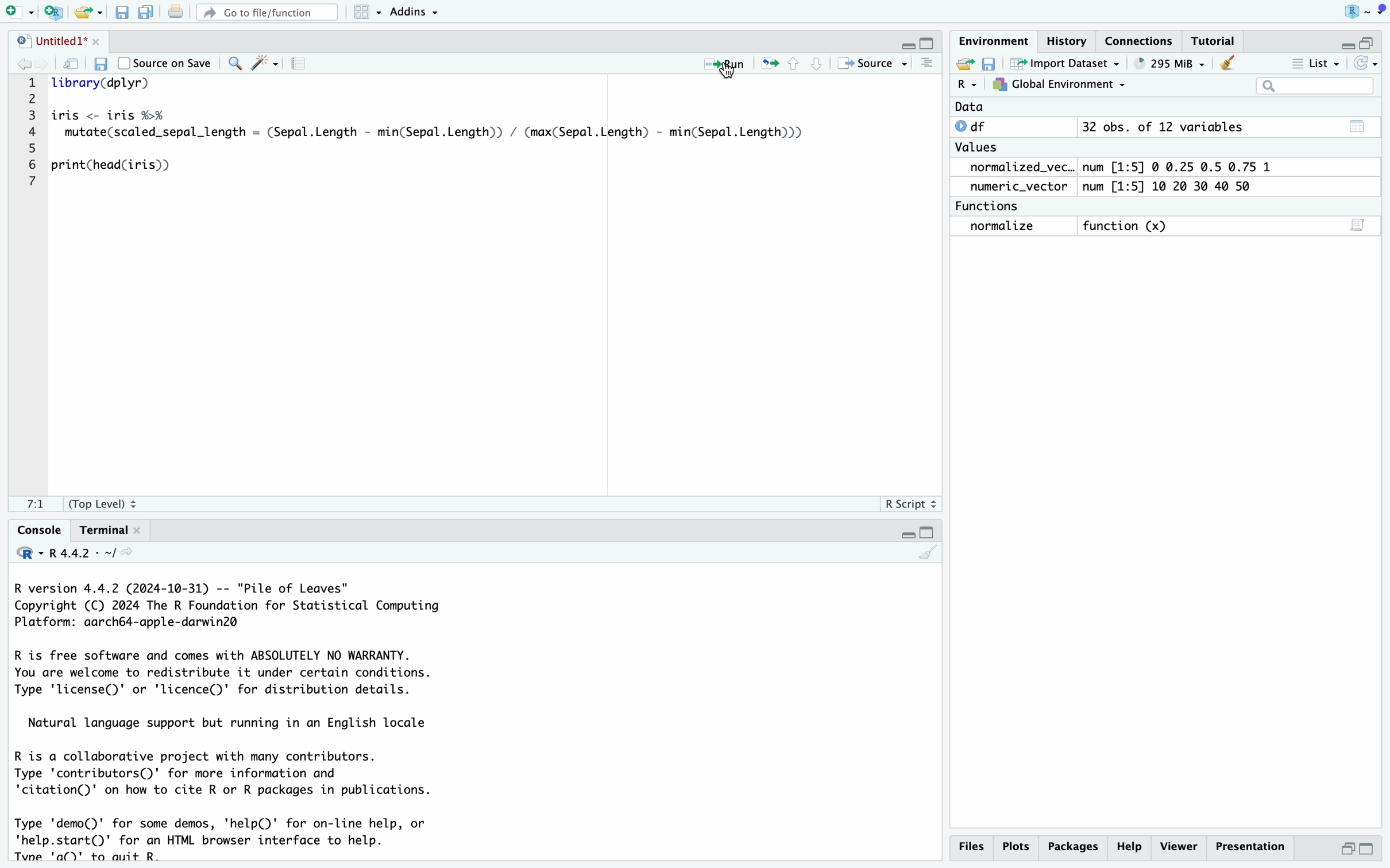  What do you see at coordinates (1075, 846) in the screenshot?
I see `Packages` at bounding box center [1075, 846].